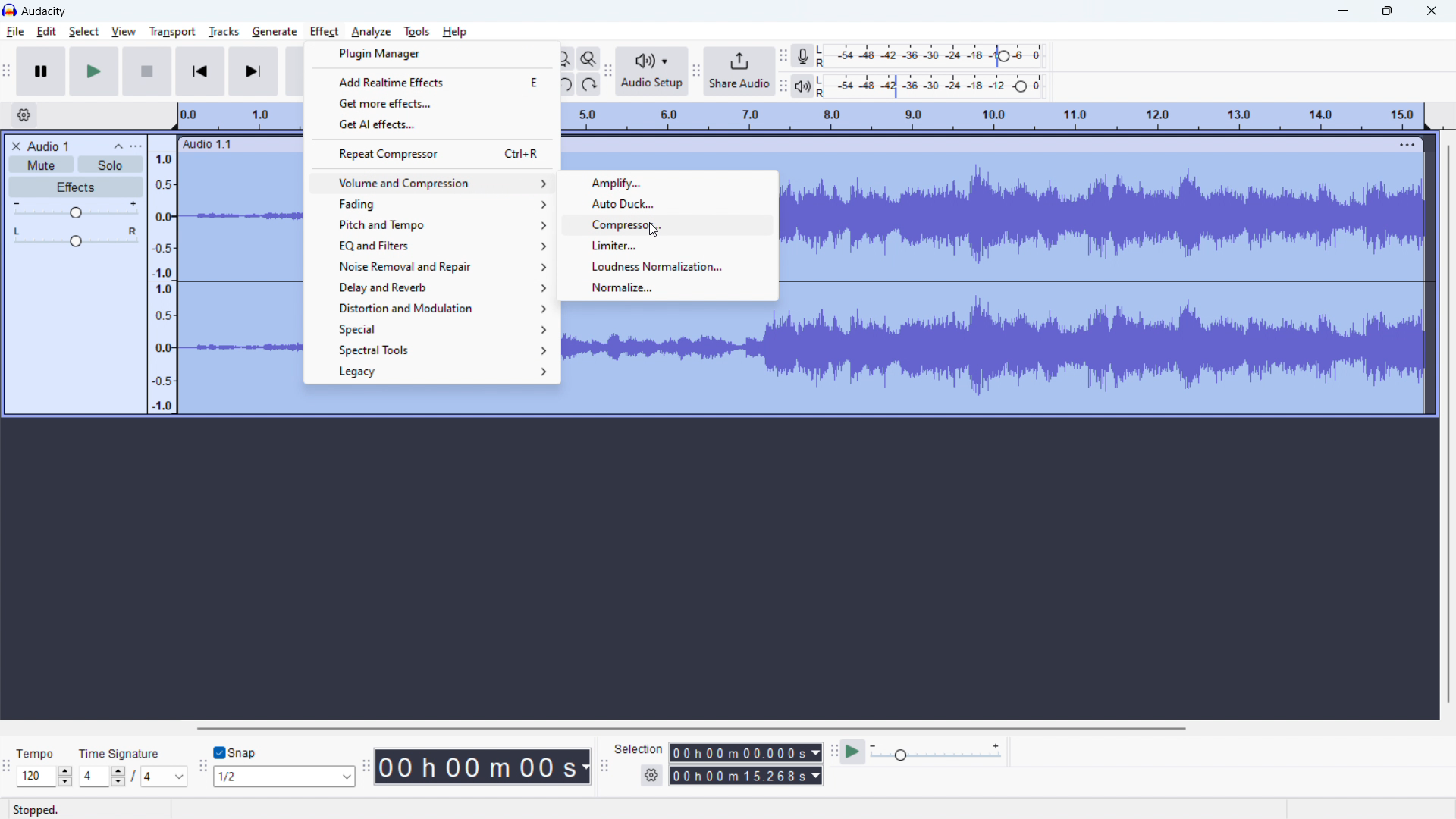 The image size is (1456, 819). I want to click on select, so click(84, 32).